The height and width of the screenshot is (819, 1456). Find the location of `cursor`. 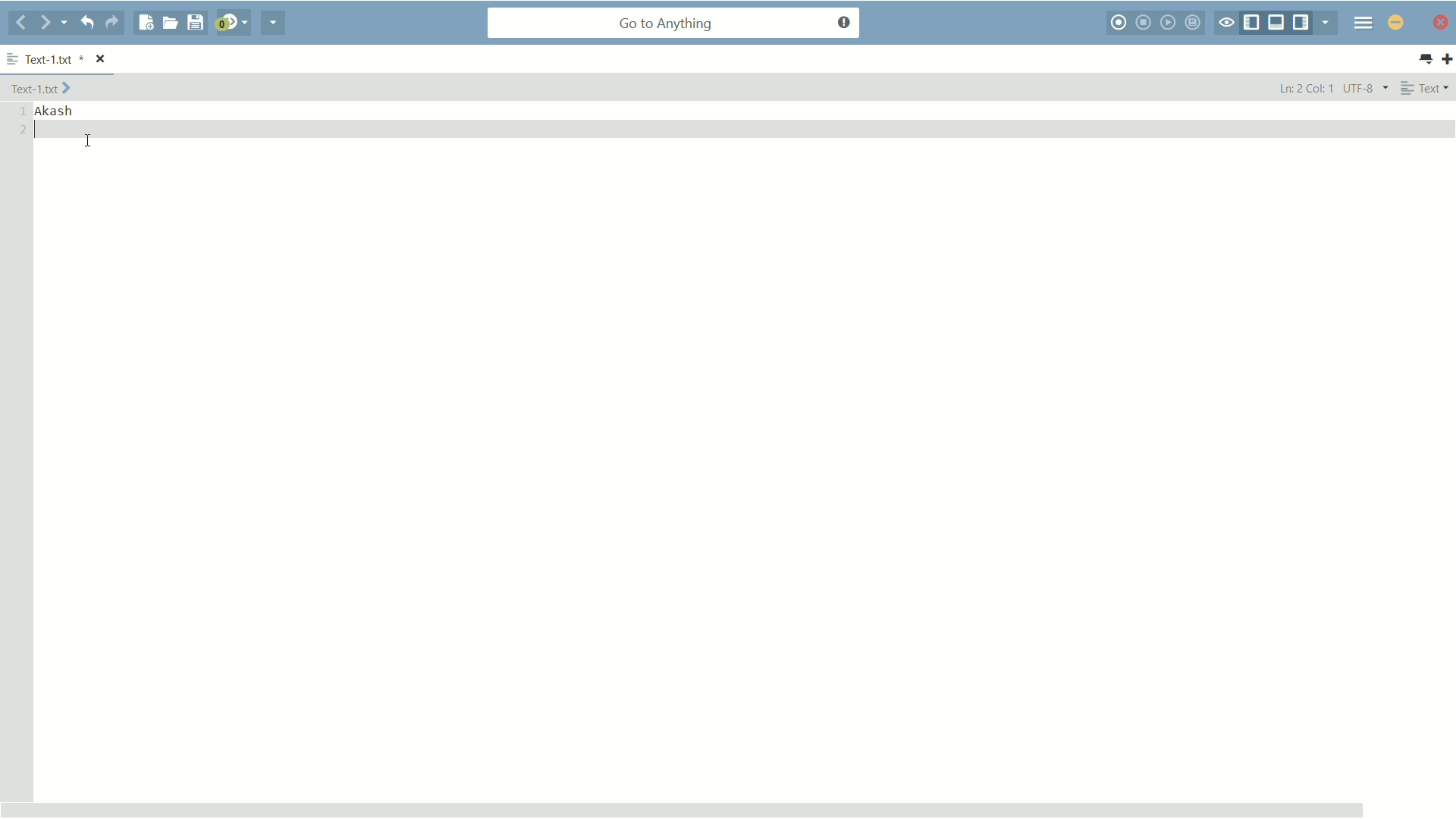

cursor is located at coordinates (89, 142).